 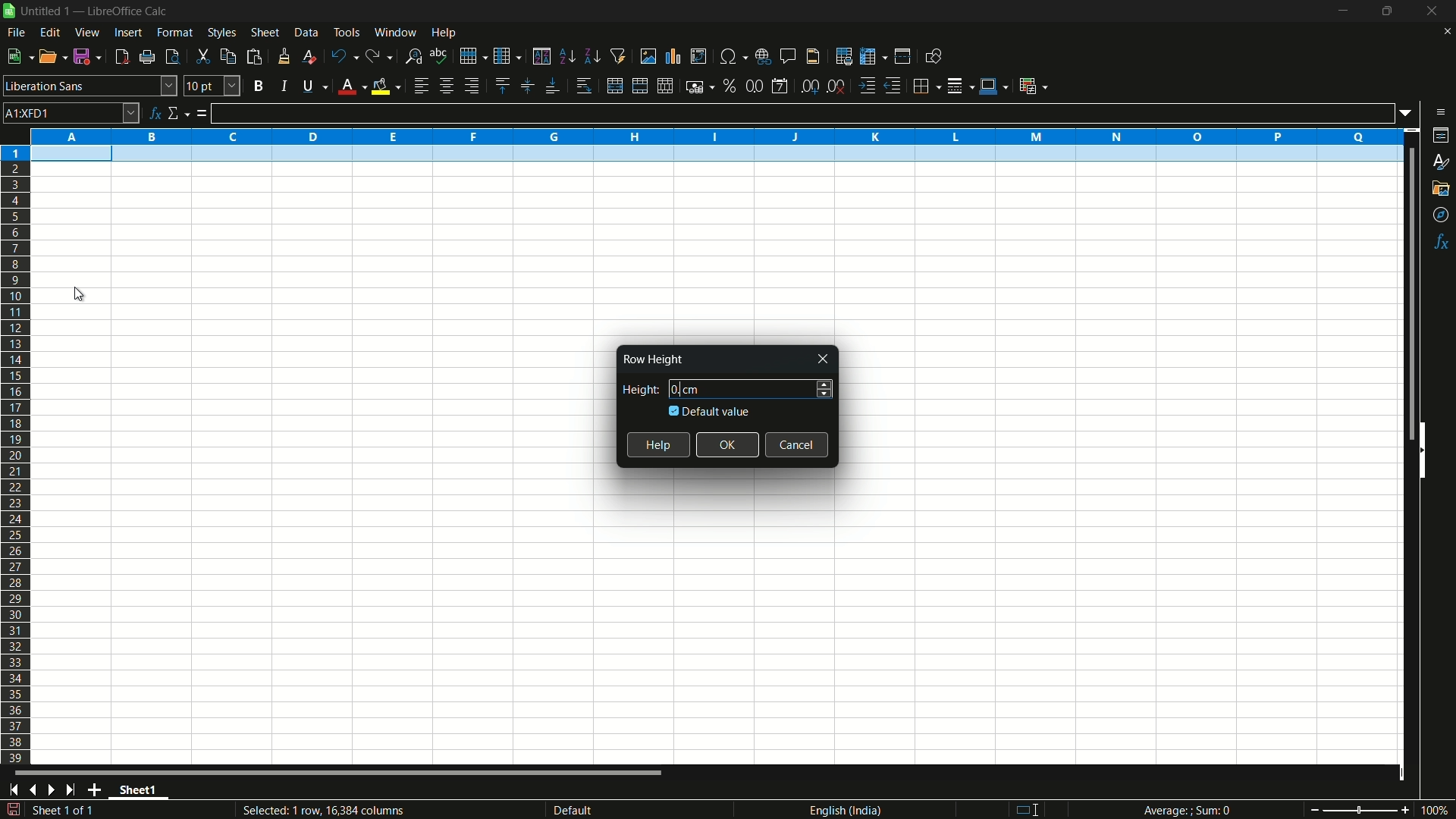 What do you see at coordinates (613, 86) in the screenshot?
I see `merge and center or unmerge depending on the current toggle state` at bounding box center [613, 86].